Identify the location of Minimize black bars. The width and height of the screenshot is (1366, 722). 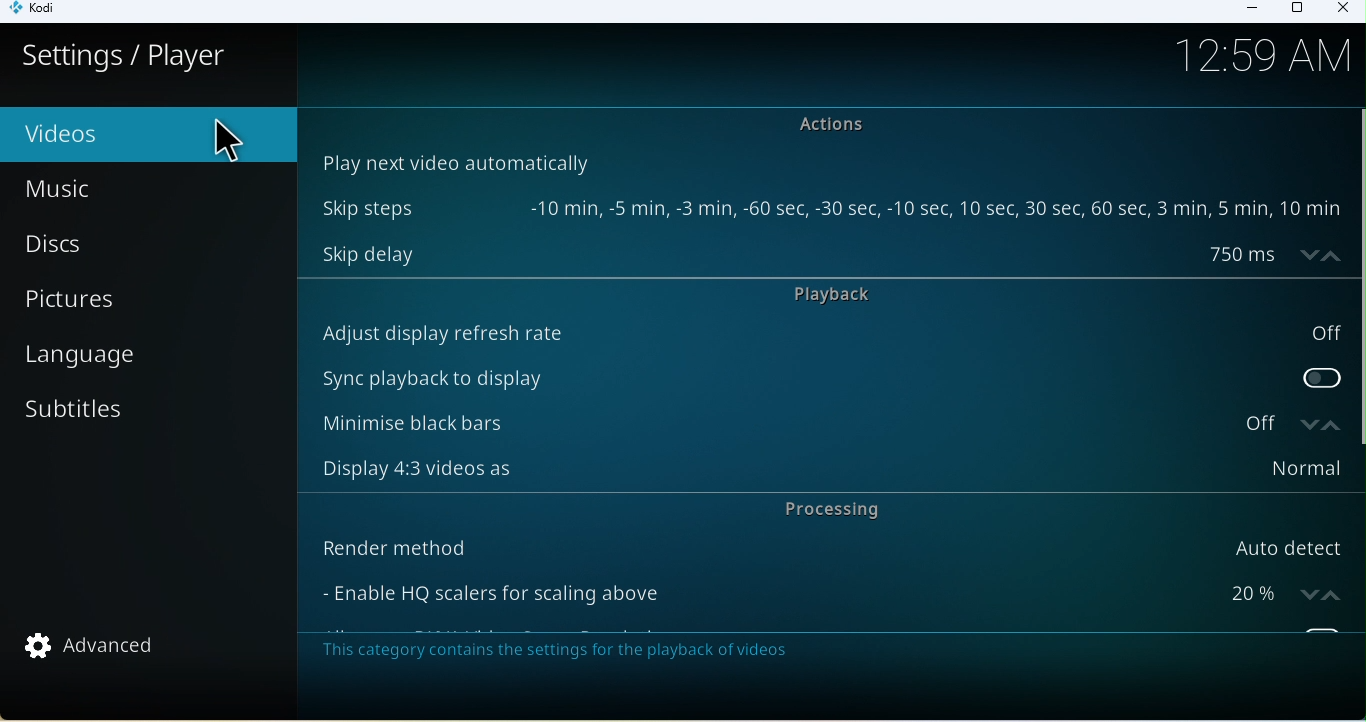
(793, 424).